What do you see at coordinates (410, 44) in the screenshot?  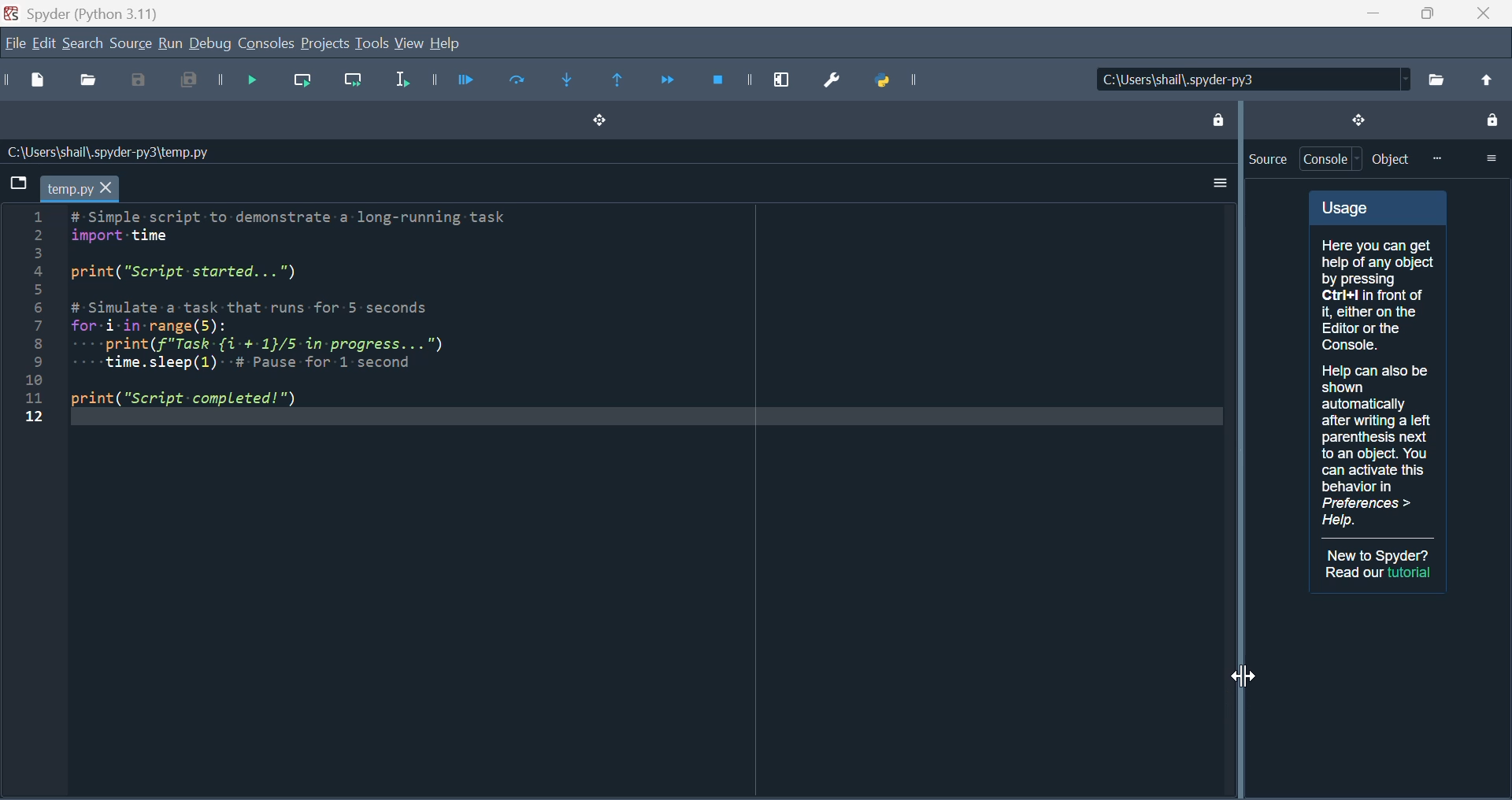 I see `view` at bounding box center [410, 44].